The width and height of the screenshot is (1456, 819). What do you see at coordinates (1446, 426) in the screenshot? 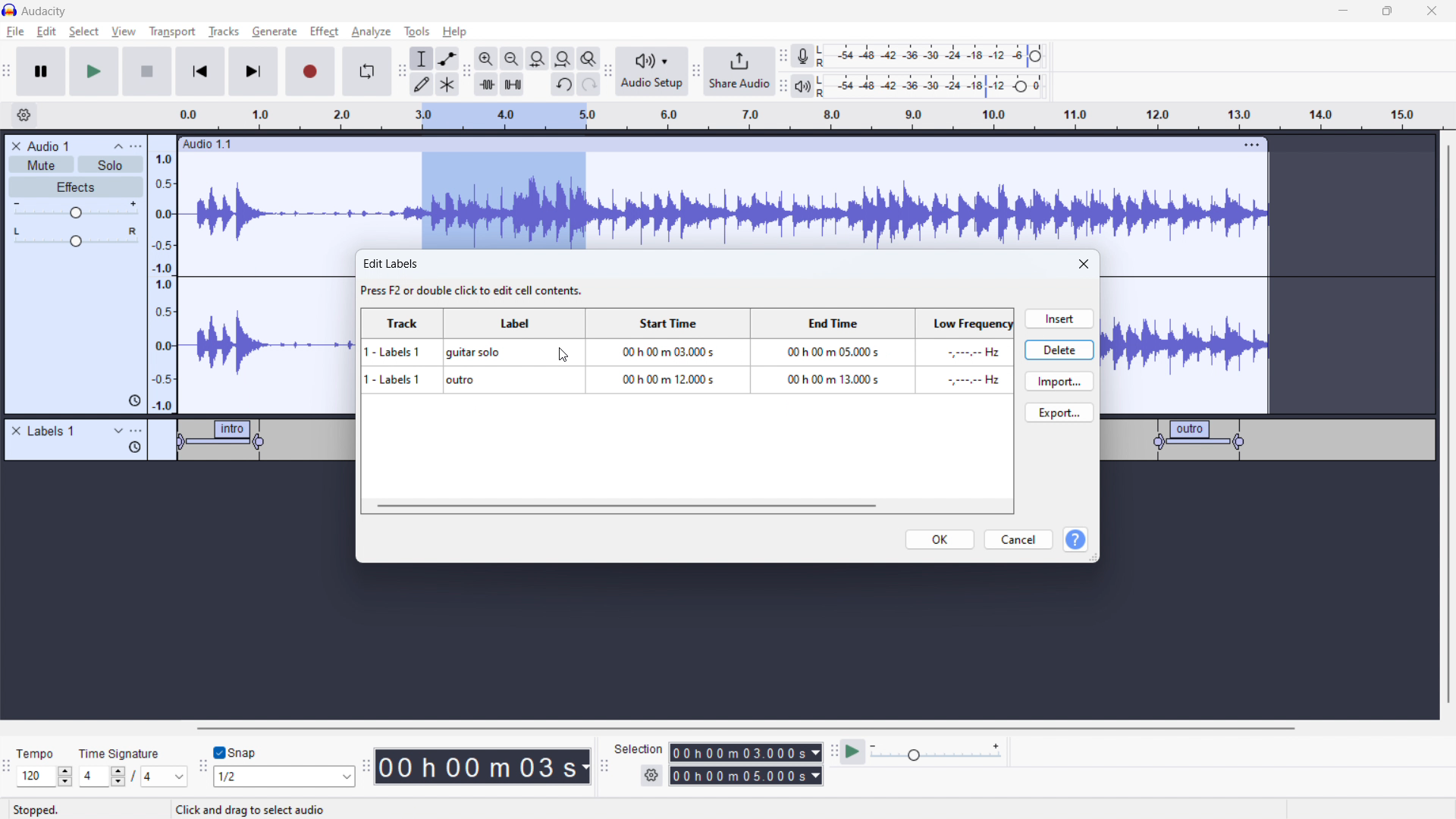
I see `vertical scrollbar` at bounding box center [1446, 426].